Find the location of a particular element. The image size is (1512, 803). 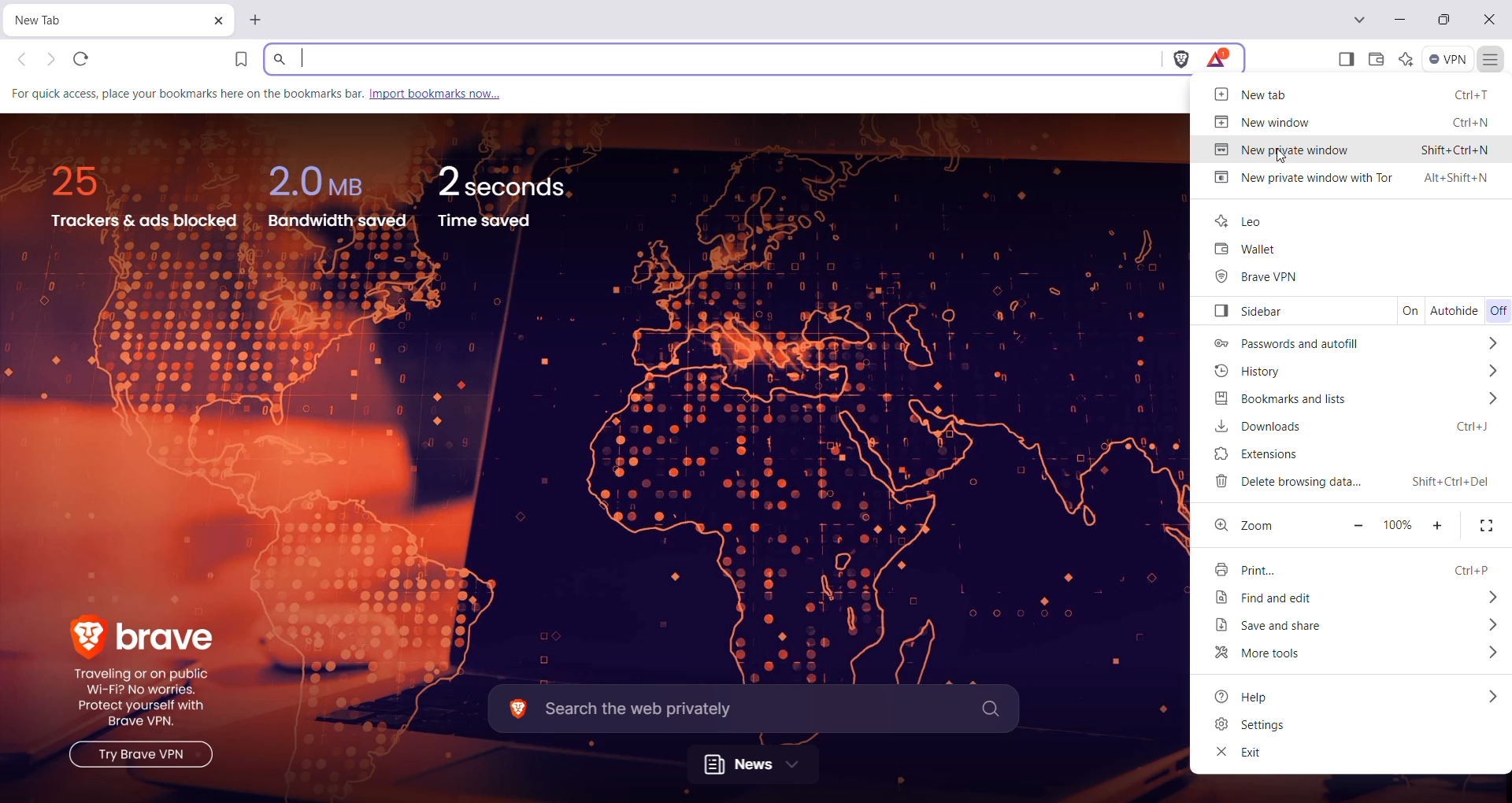

More options is located at coordinates (1494, 342).